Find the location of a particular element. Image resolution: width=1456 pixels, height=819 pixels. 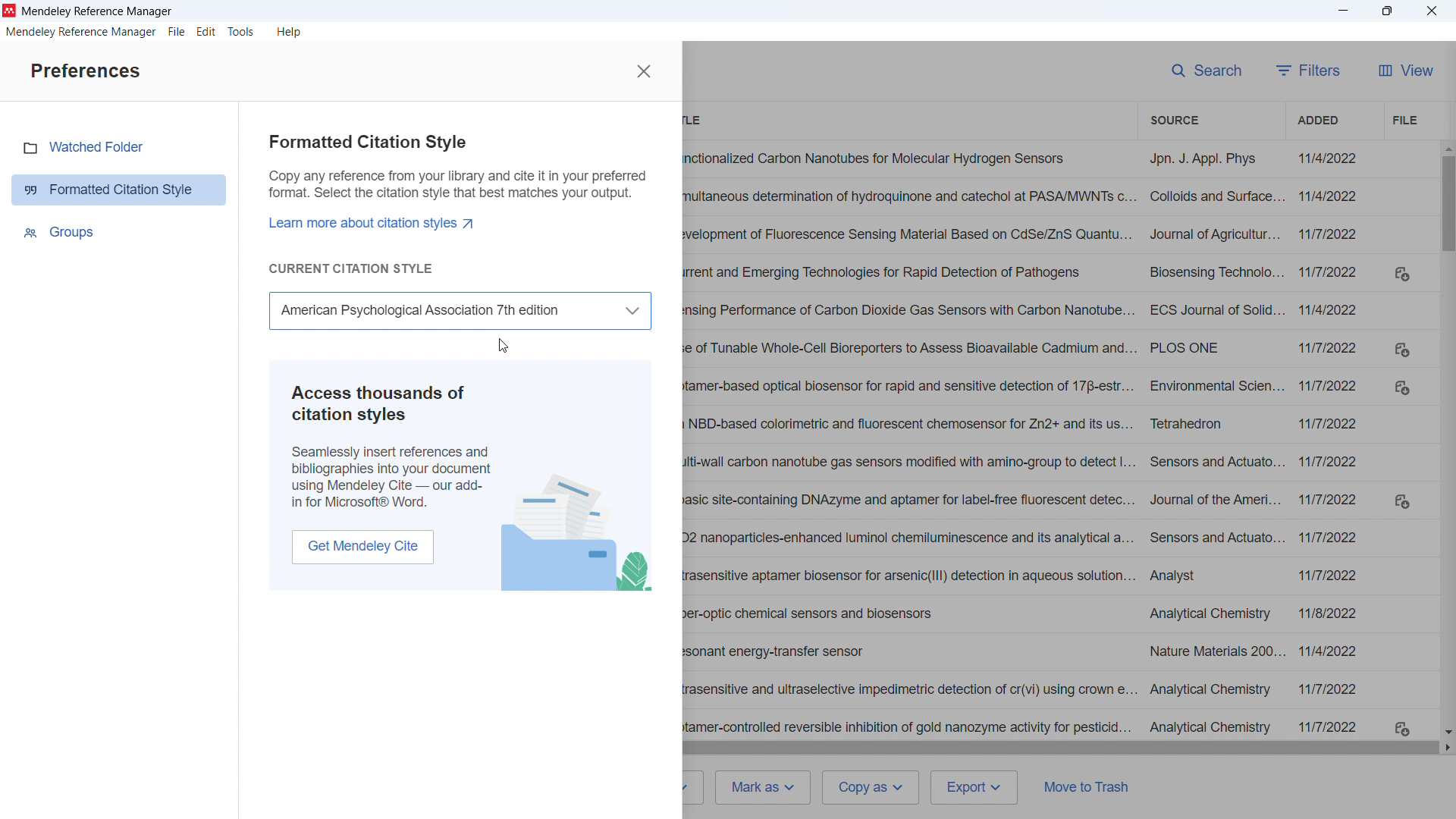

Learn more about citation styles  is located at coordinates (377, 222).